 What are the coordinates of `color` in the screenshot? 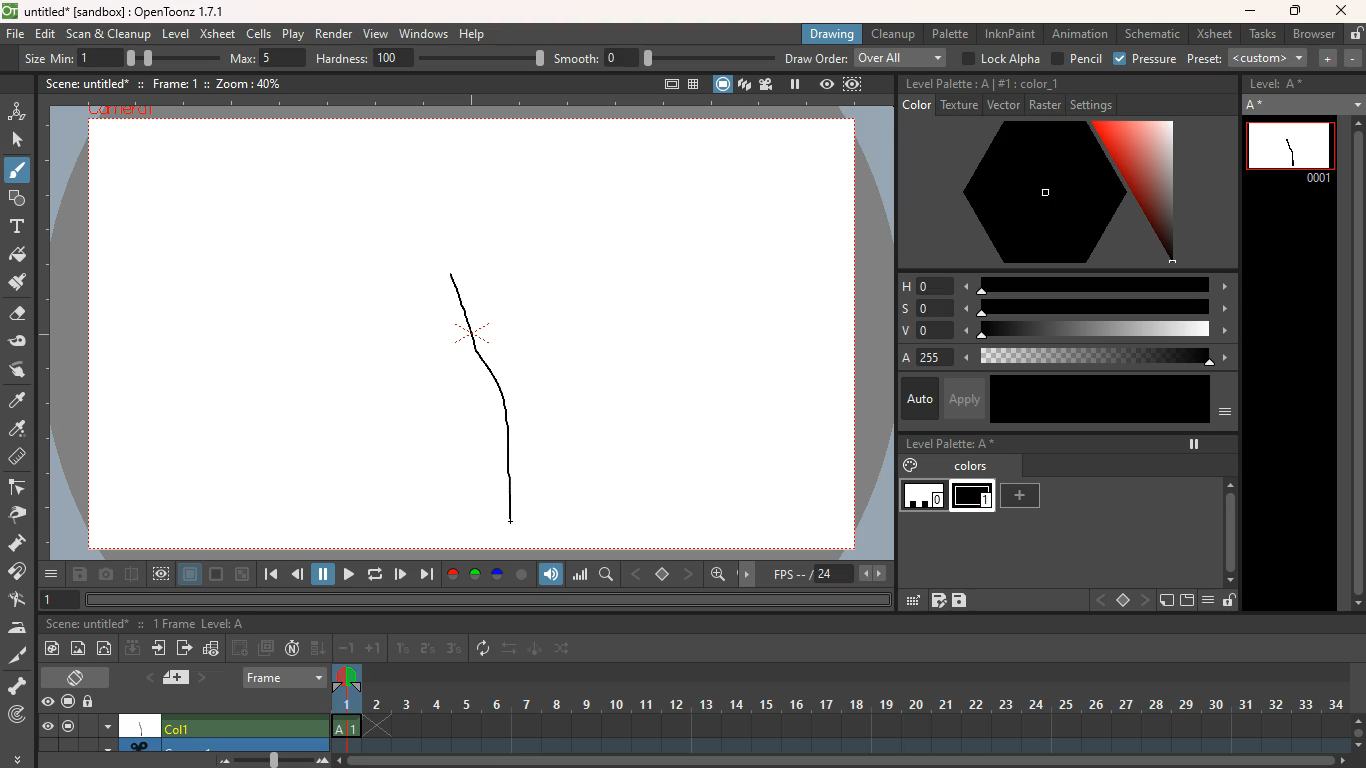 It's located at (914, 106).